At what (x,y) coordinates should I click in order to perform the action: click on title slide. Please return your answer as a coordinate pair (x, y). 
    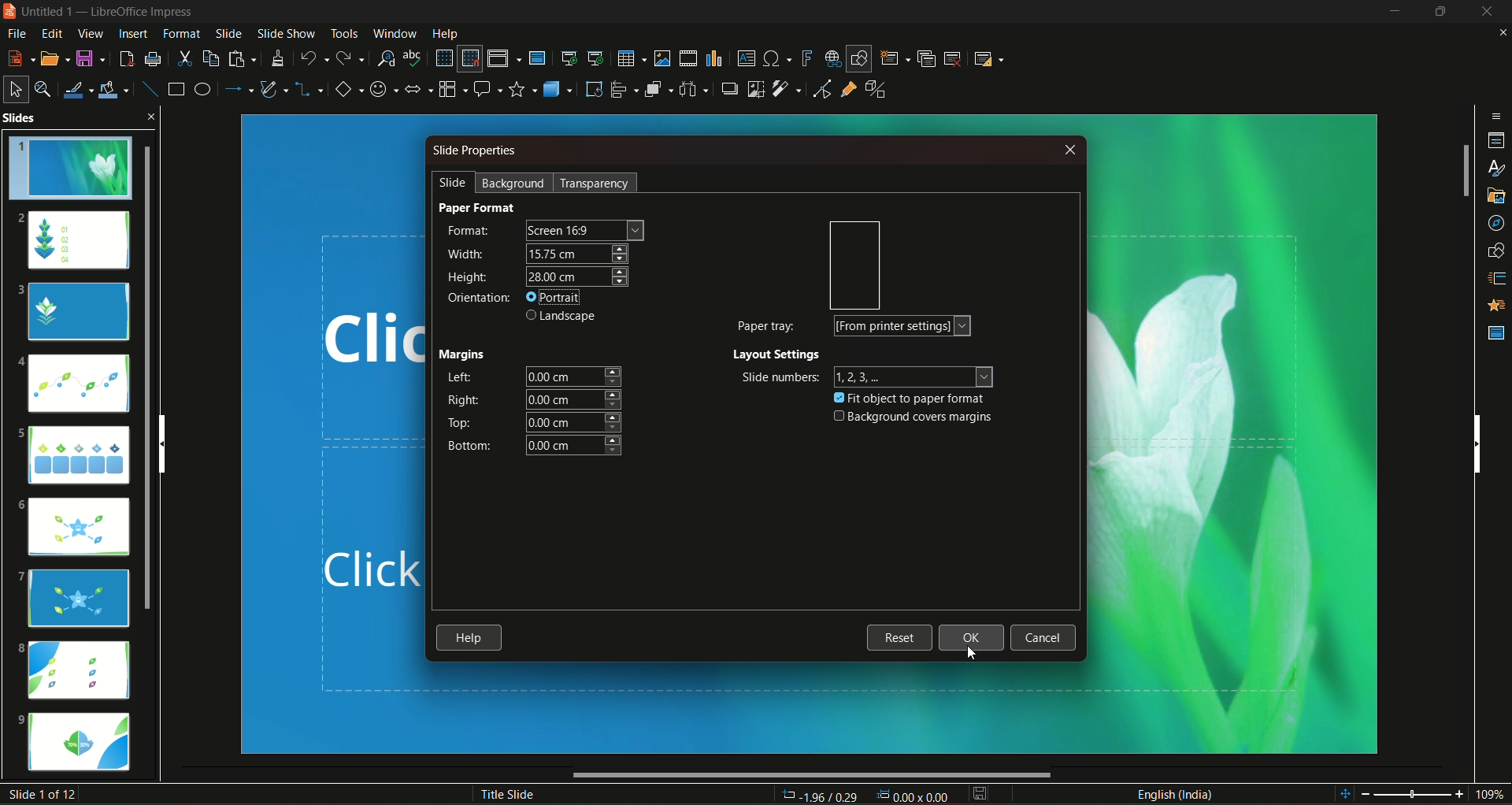
    Looking at the image, I should click on (505, 793).